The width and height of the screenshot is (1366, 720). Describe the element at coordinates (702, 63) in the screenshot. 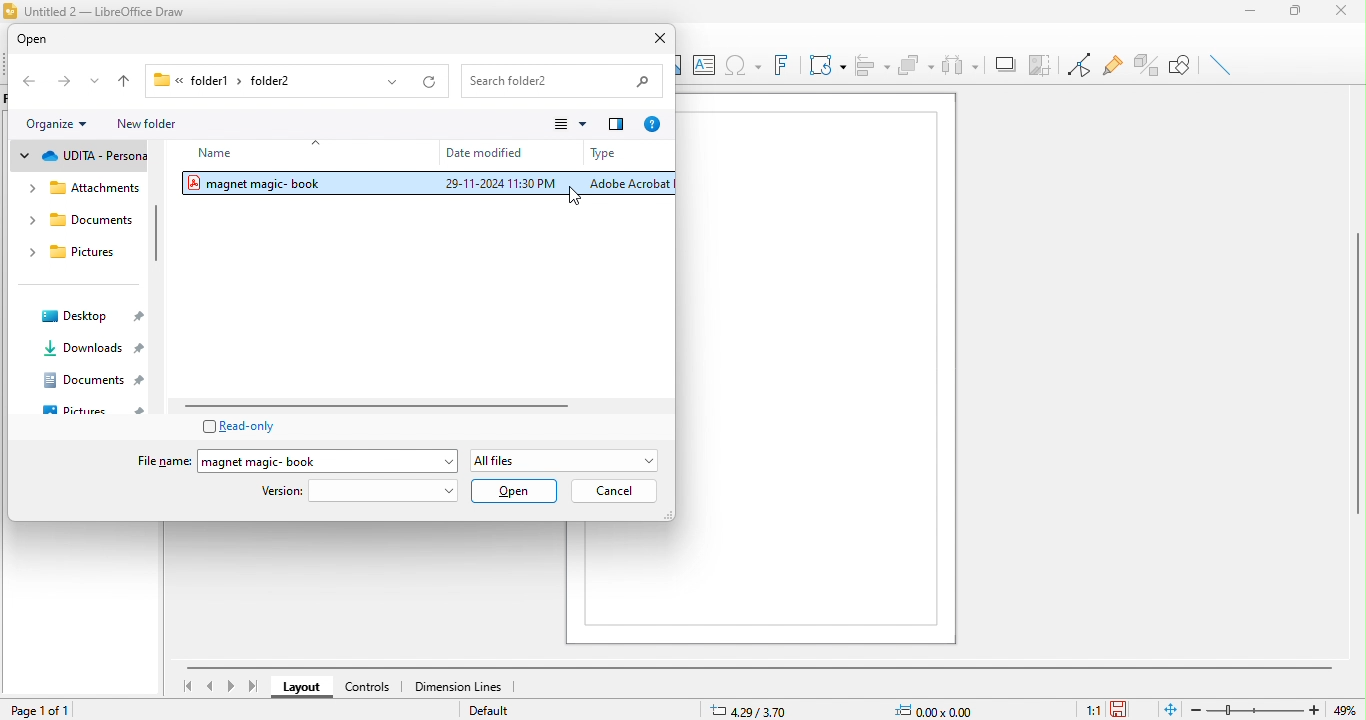

I see `text box ` at that location.